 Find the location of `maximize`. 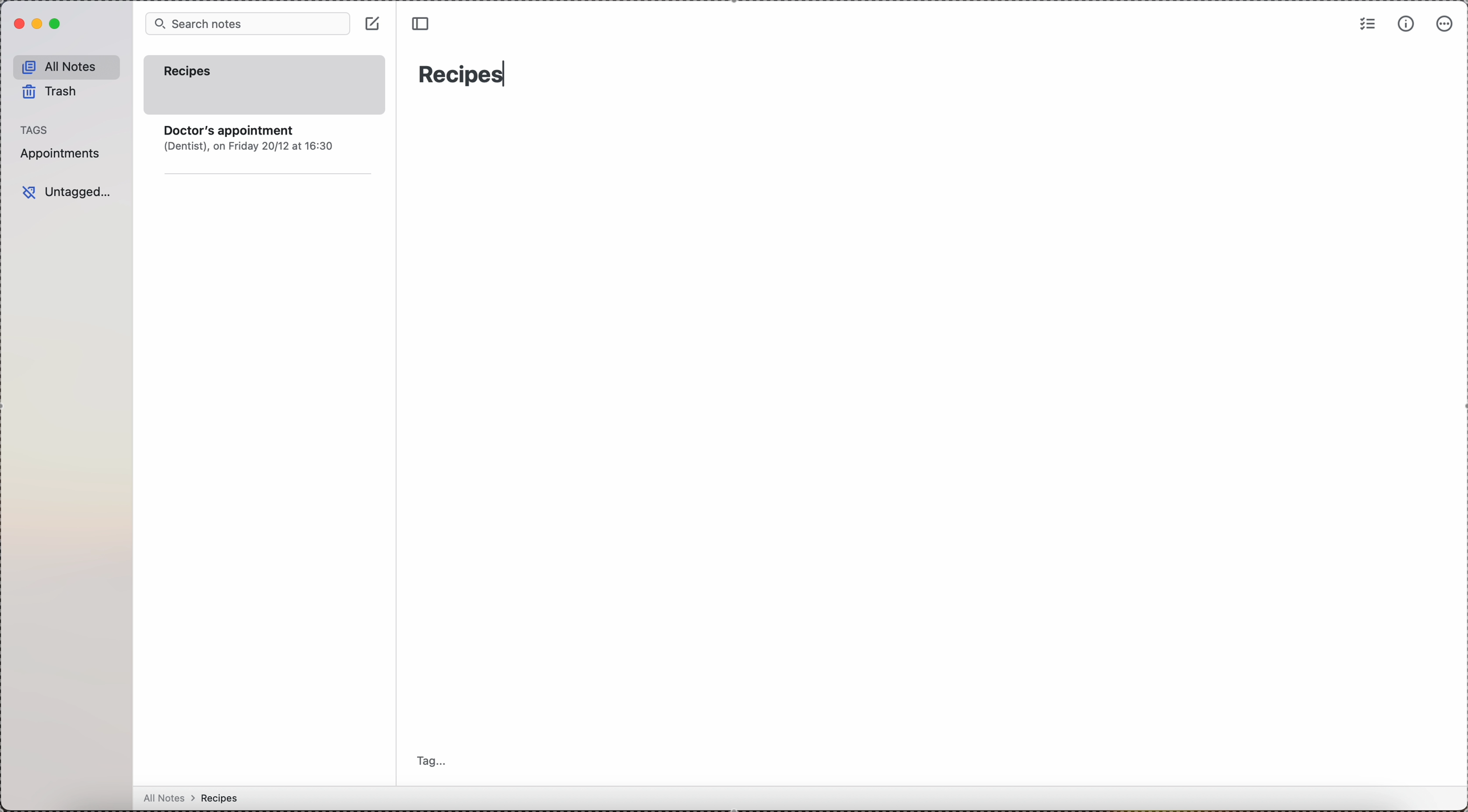

maximize is located at coordinates (59, 25).